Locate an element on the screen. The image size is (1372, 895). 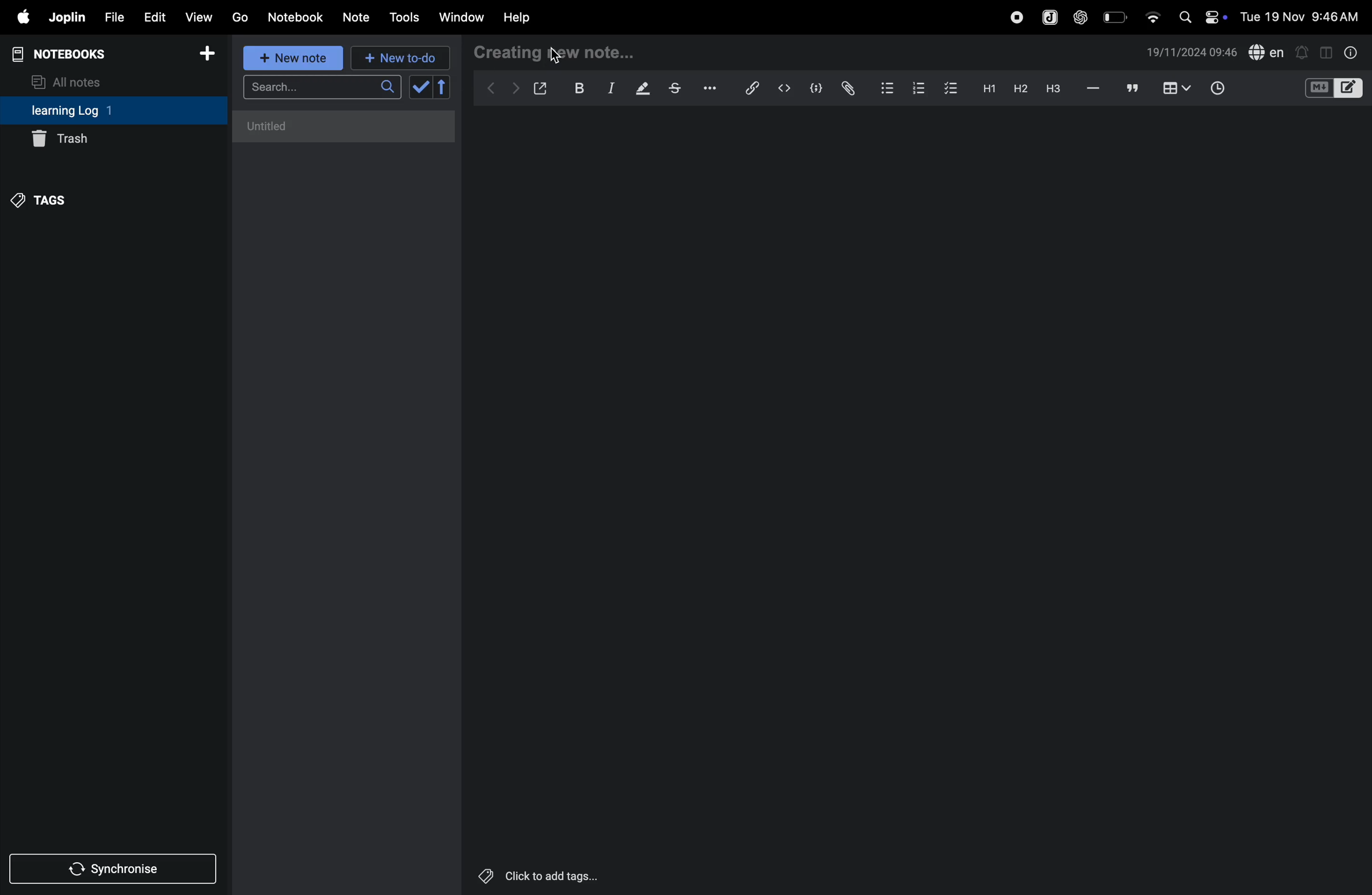
code block is located at coordinates (814, 89).